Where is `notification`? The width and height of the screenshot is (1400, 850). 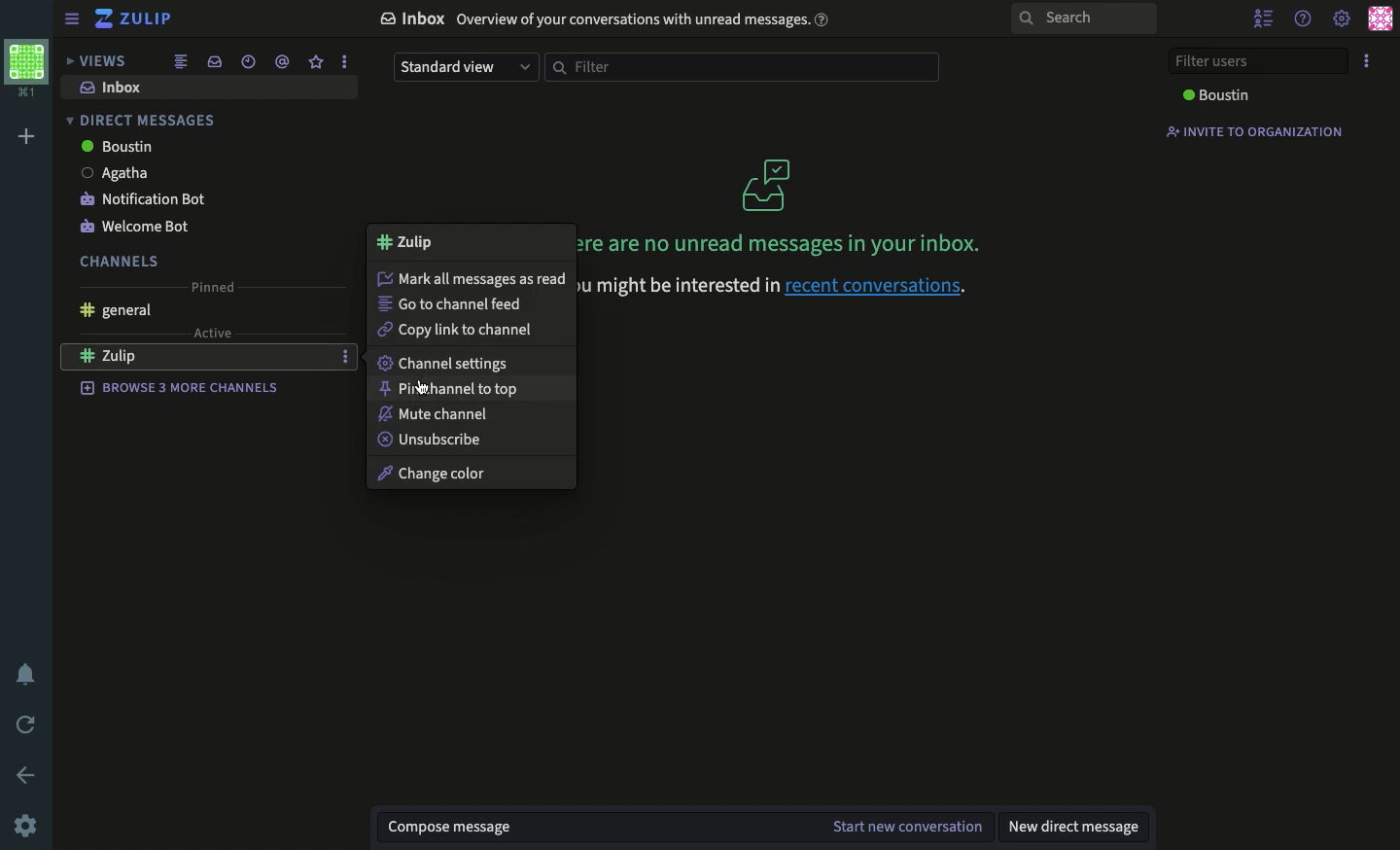 notification is located at coordinates (28, 673).